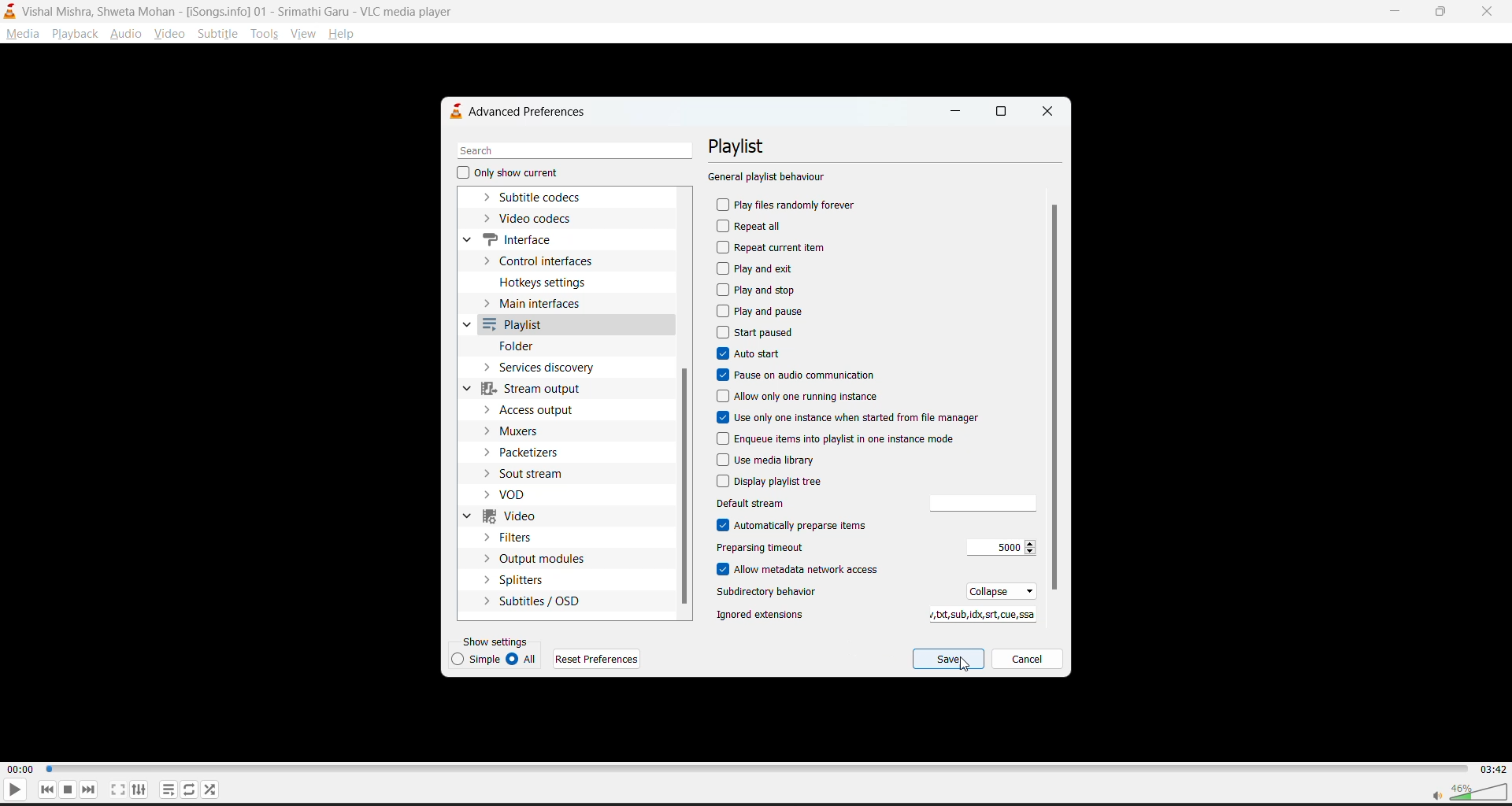 This screenshot has width=1512, height=806. I want to click on play files randomly forever disabled, so click(788, 206).